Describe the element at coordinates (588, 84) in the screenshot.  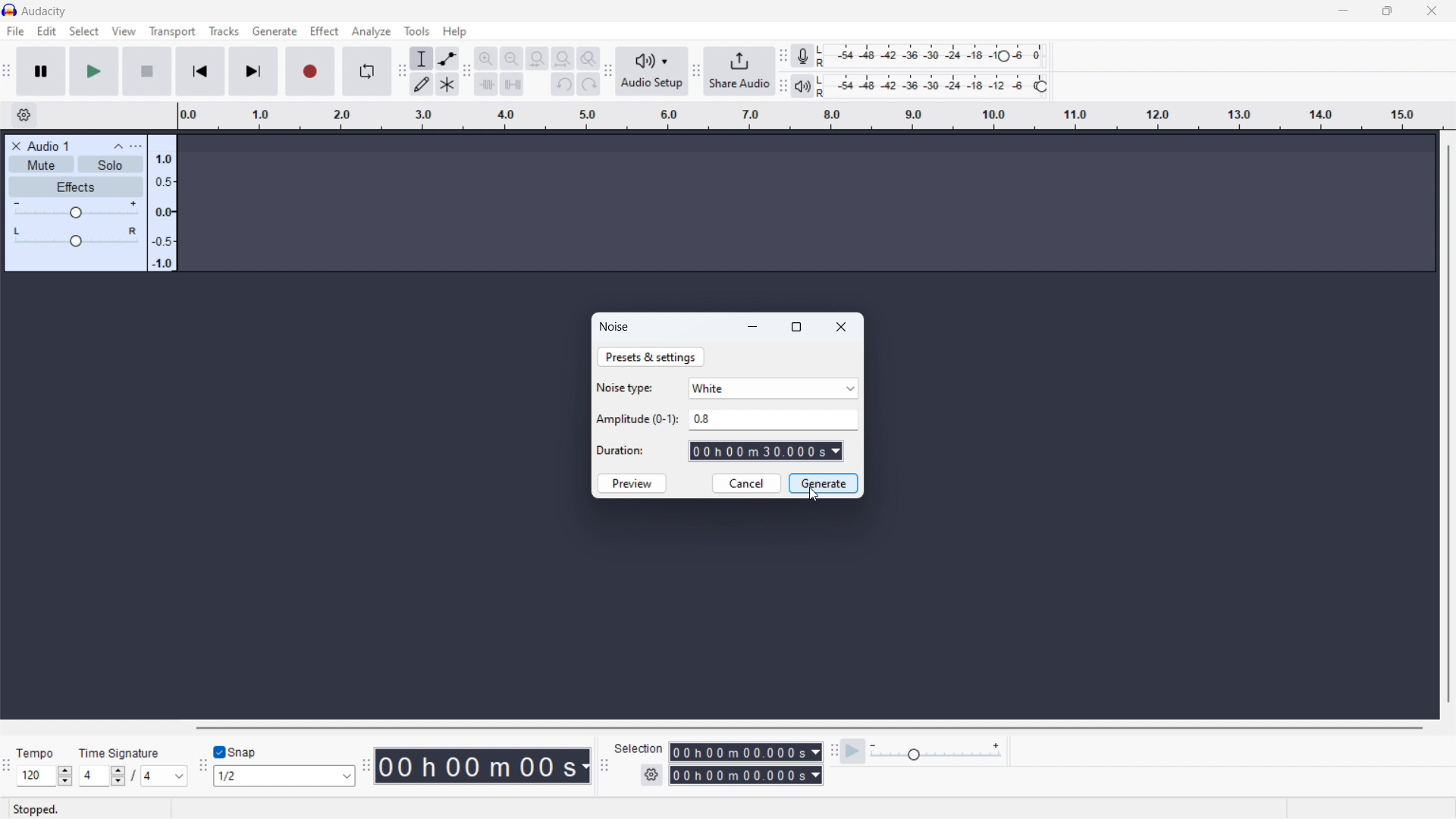
I see `redo` at that location.